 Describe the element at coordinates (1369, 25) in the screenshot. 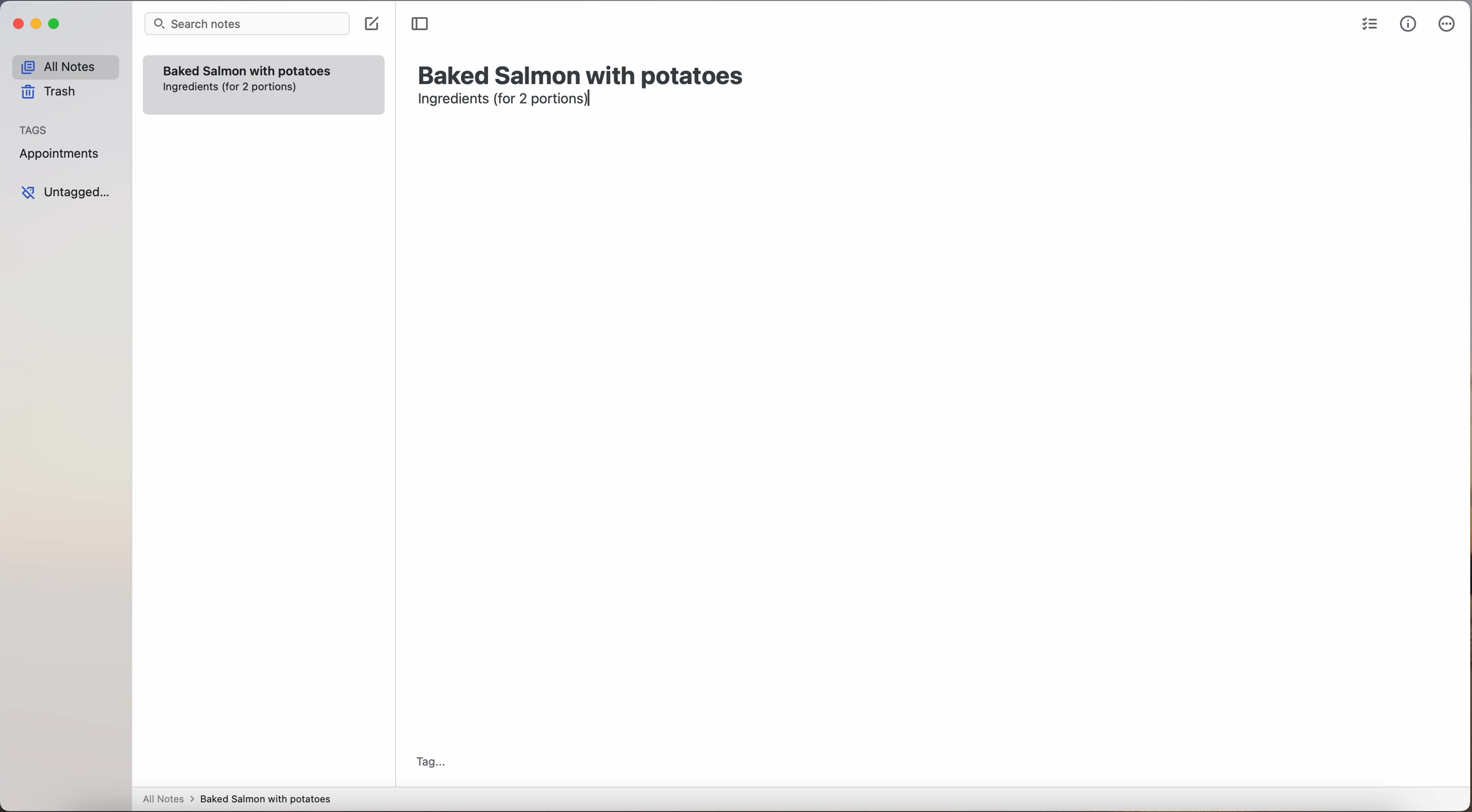

I see `check list` at that location.